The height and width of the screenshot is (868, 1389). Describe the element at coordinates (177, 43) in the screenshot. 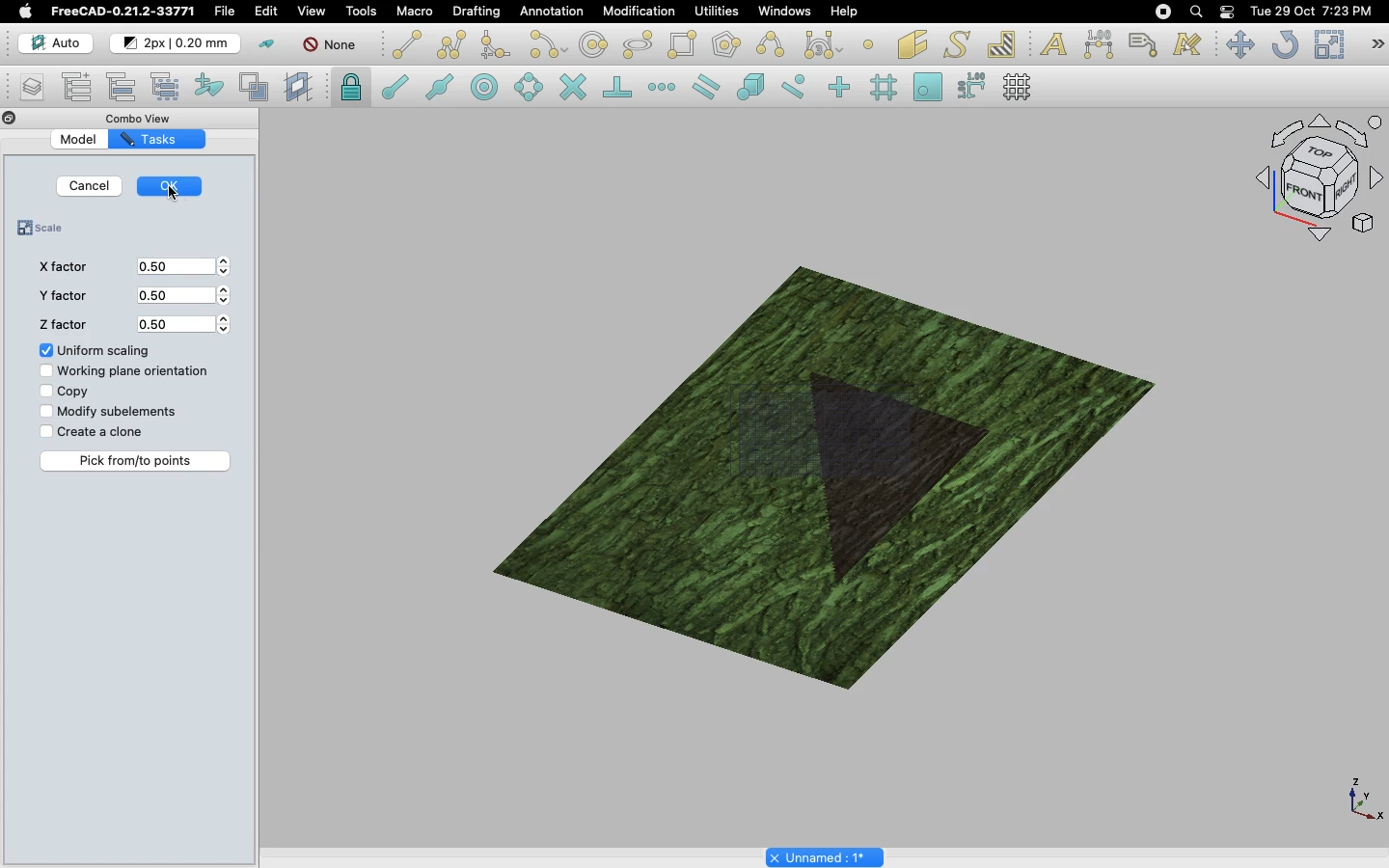

I see `Change default style for new objects` at that location.